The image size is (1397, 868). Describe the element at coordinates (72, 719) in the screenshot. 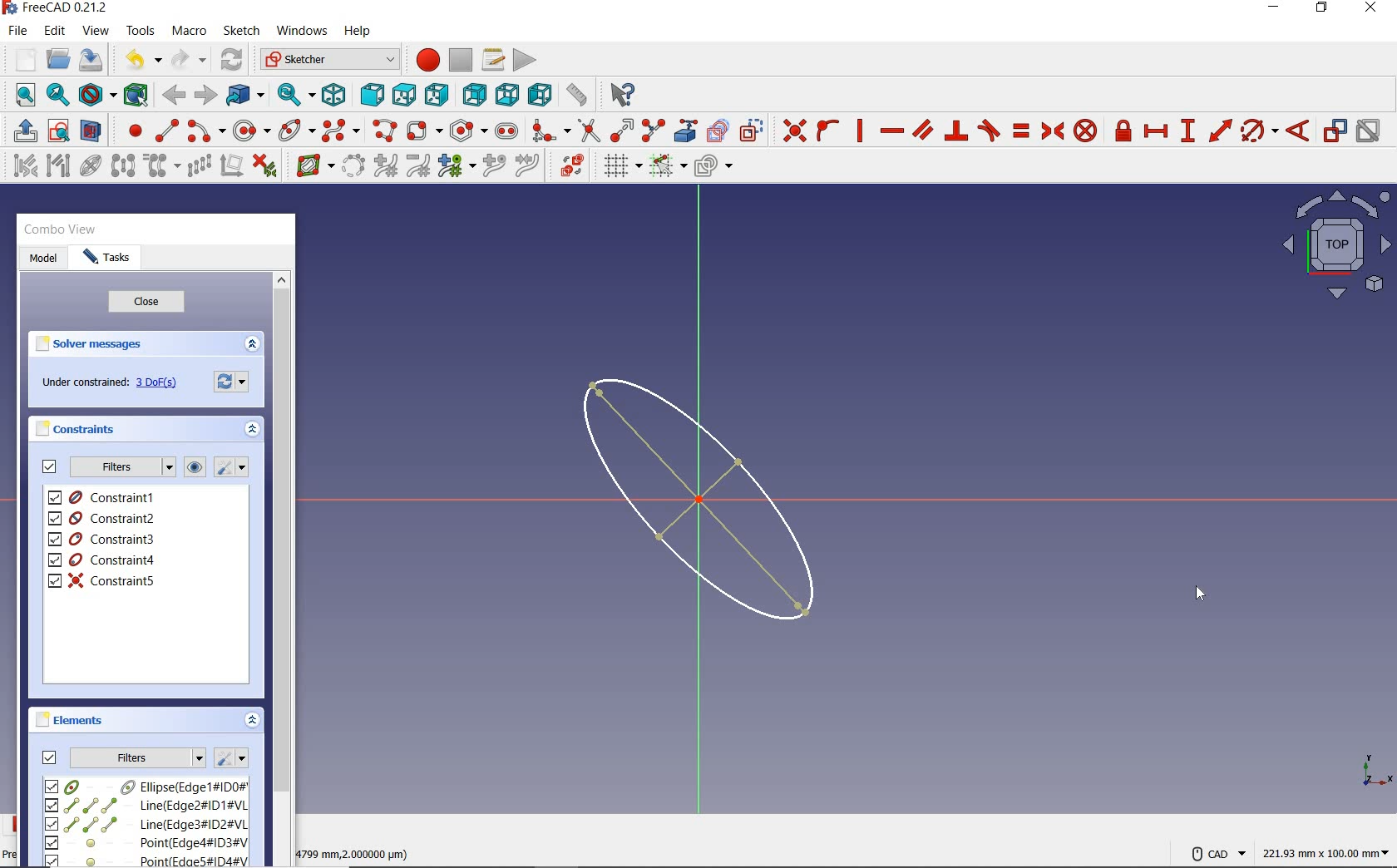

I see `elements` at that location.